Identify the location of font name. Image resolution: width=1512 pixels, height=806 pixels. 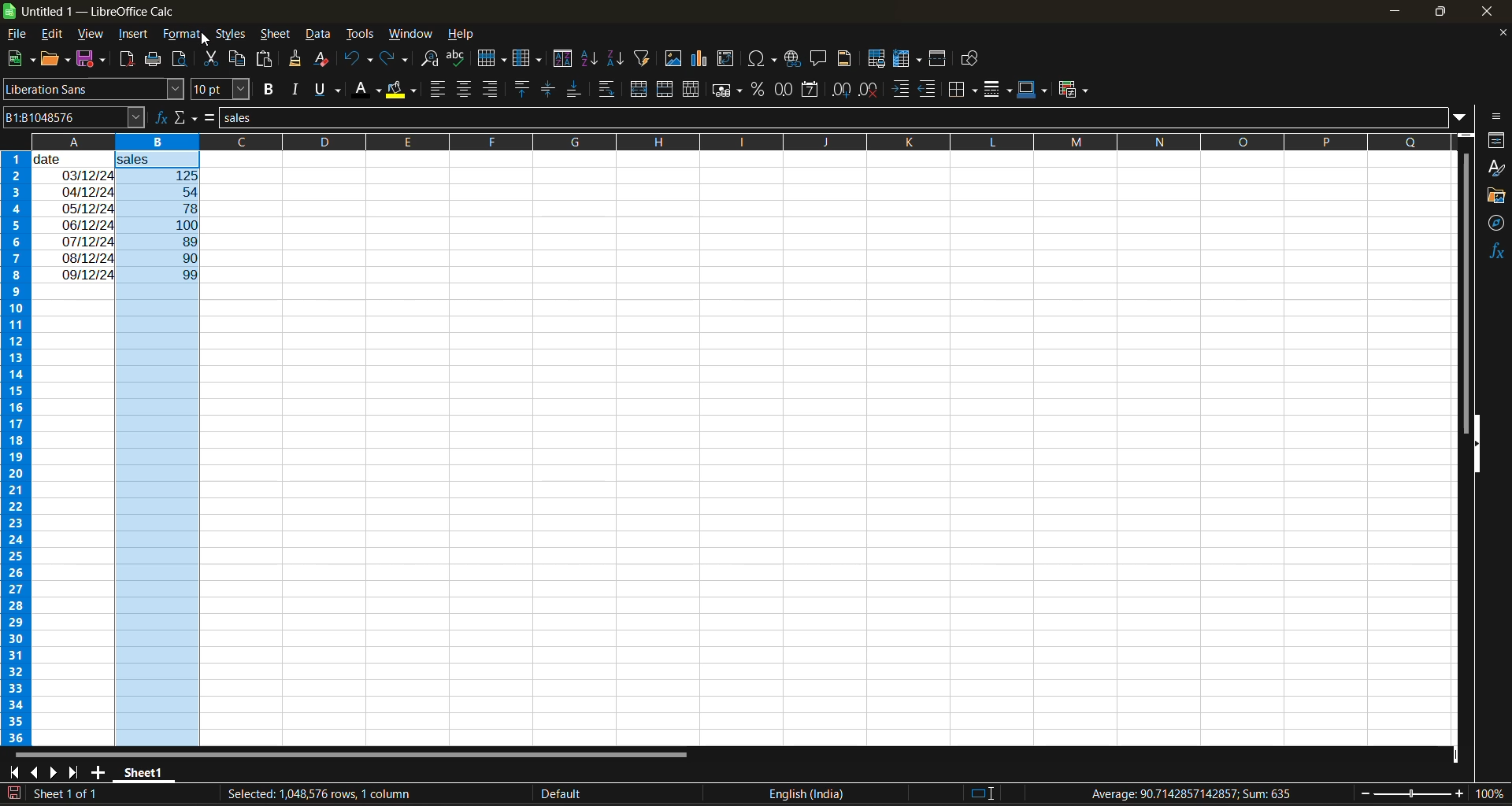
(93, 89).